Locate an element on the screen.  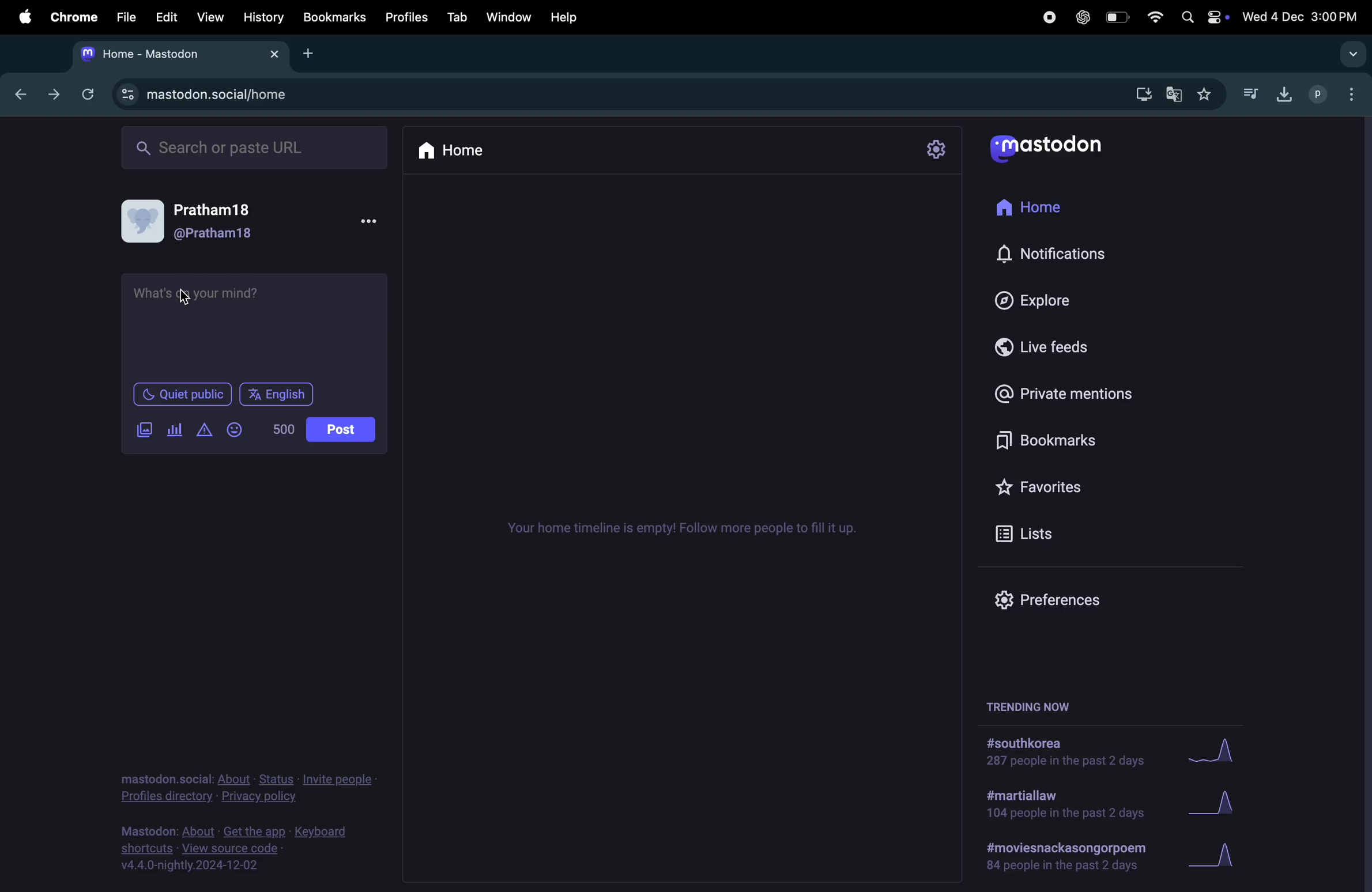
search bar is located at coordinates (252, 146).